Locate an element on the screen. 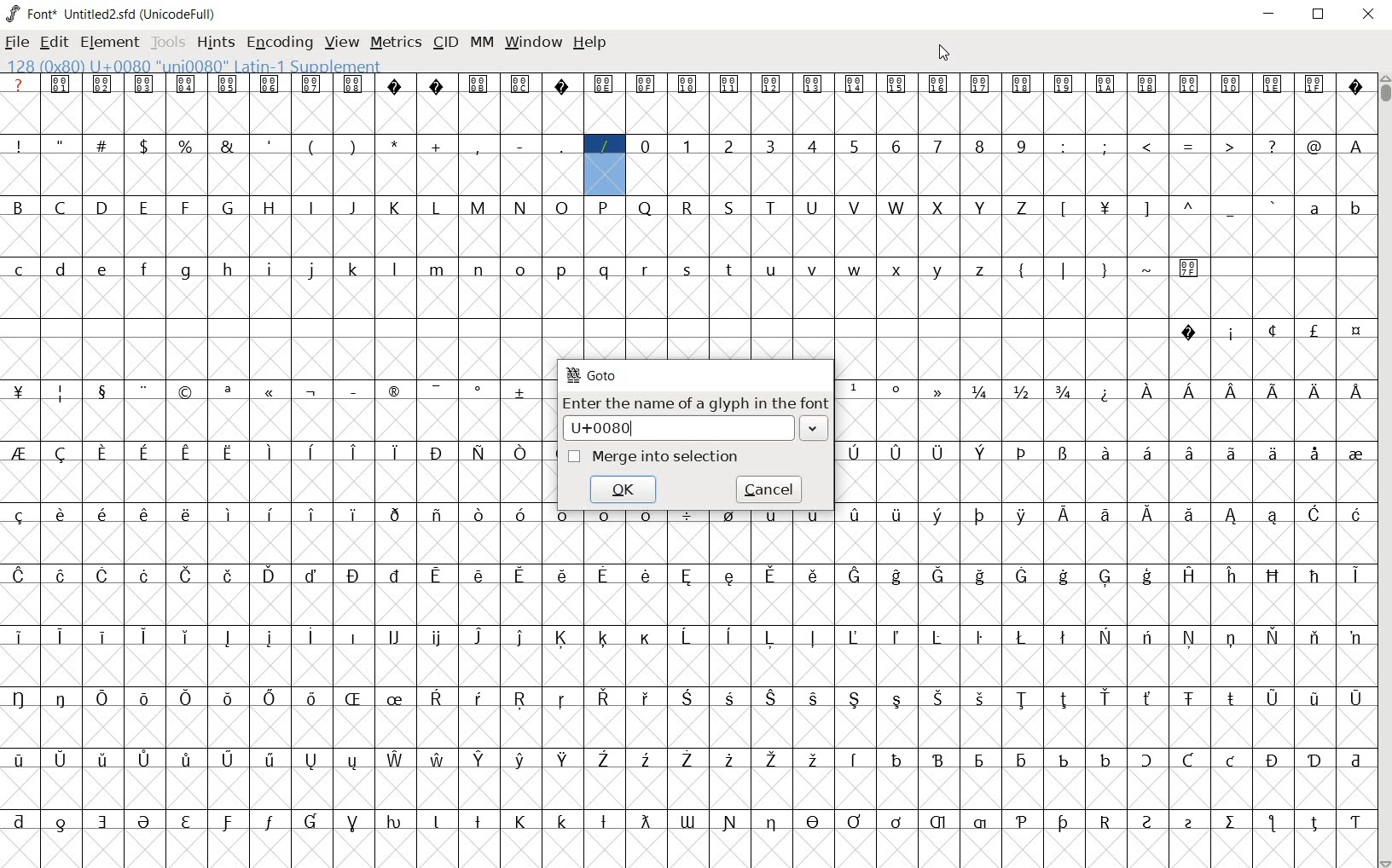  glyph is located at coordinates (187, 759).